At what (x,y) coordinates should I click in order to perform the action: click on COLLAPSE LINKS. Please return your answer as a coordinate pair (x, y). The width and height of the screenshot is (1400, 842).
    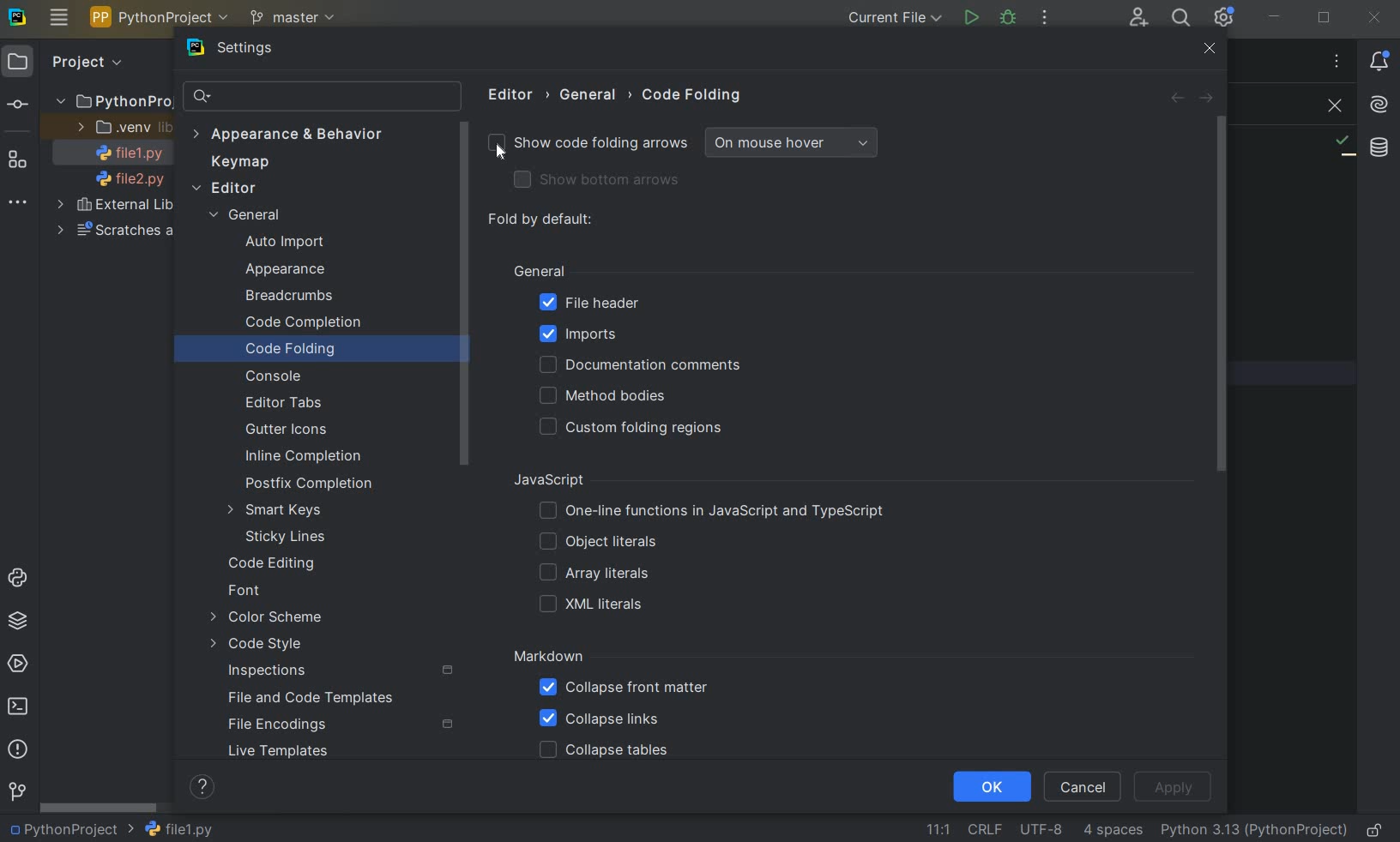
    Looking at the image, I should click on (600, 719).